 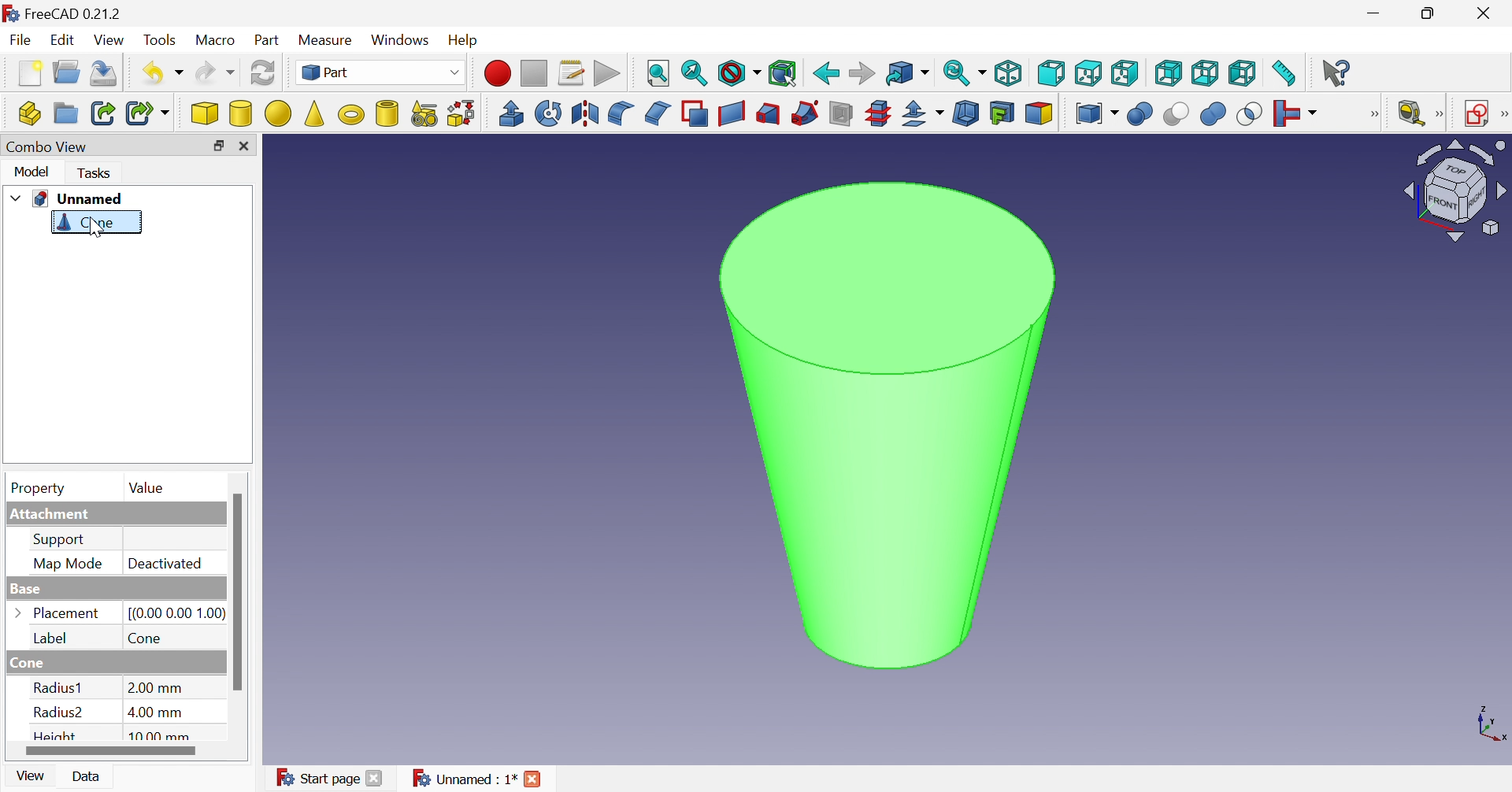 What do you see at coordinates (17, 613) in the screenshot?
I see `Arrow` at bounding box center [17, 613].